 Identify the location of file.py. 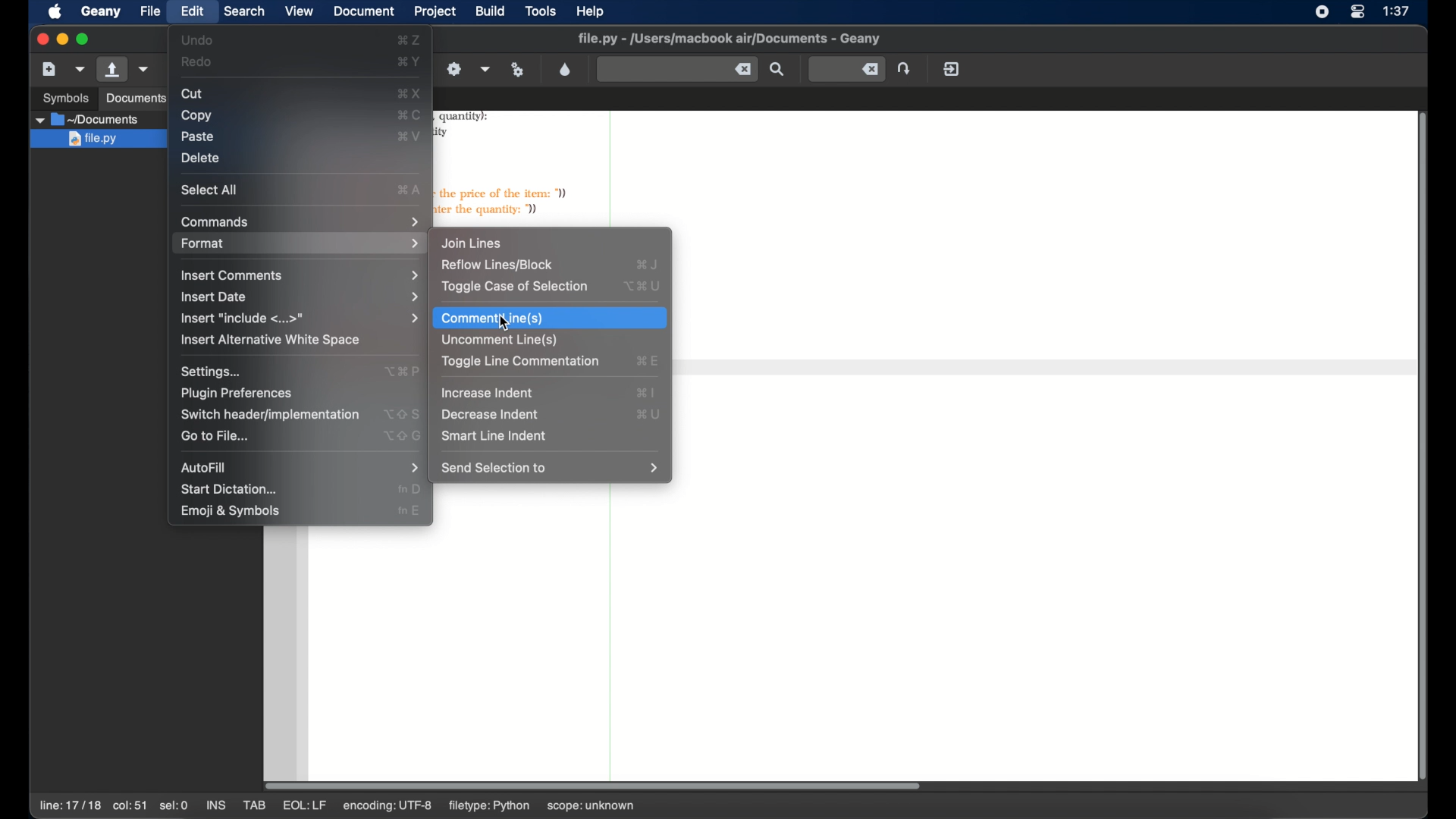
(96, 140).